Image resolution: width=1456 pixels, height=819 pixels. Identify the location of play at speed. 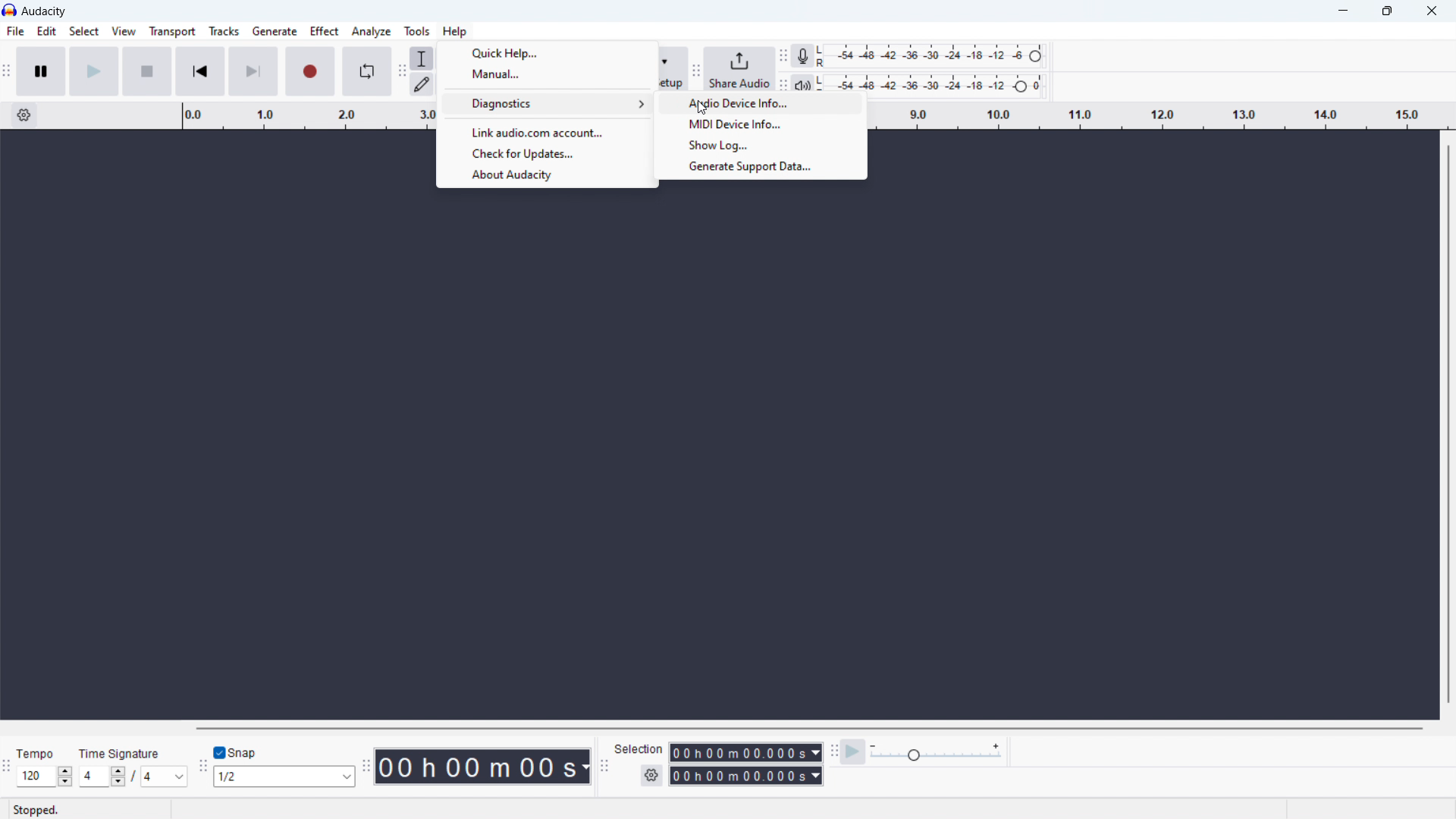
(854, 752).